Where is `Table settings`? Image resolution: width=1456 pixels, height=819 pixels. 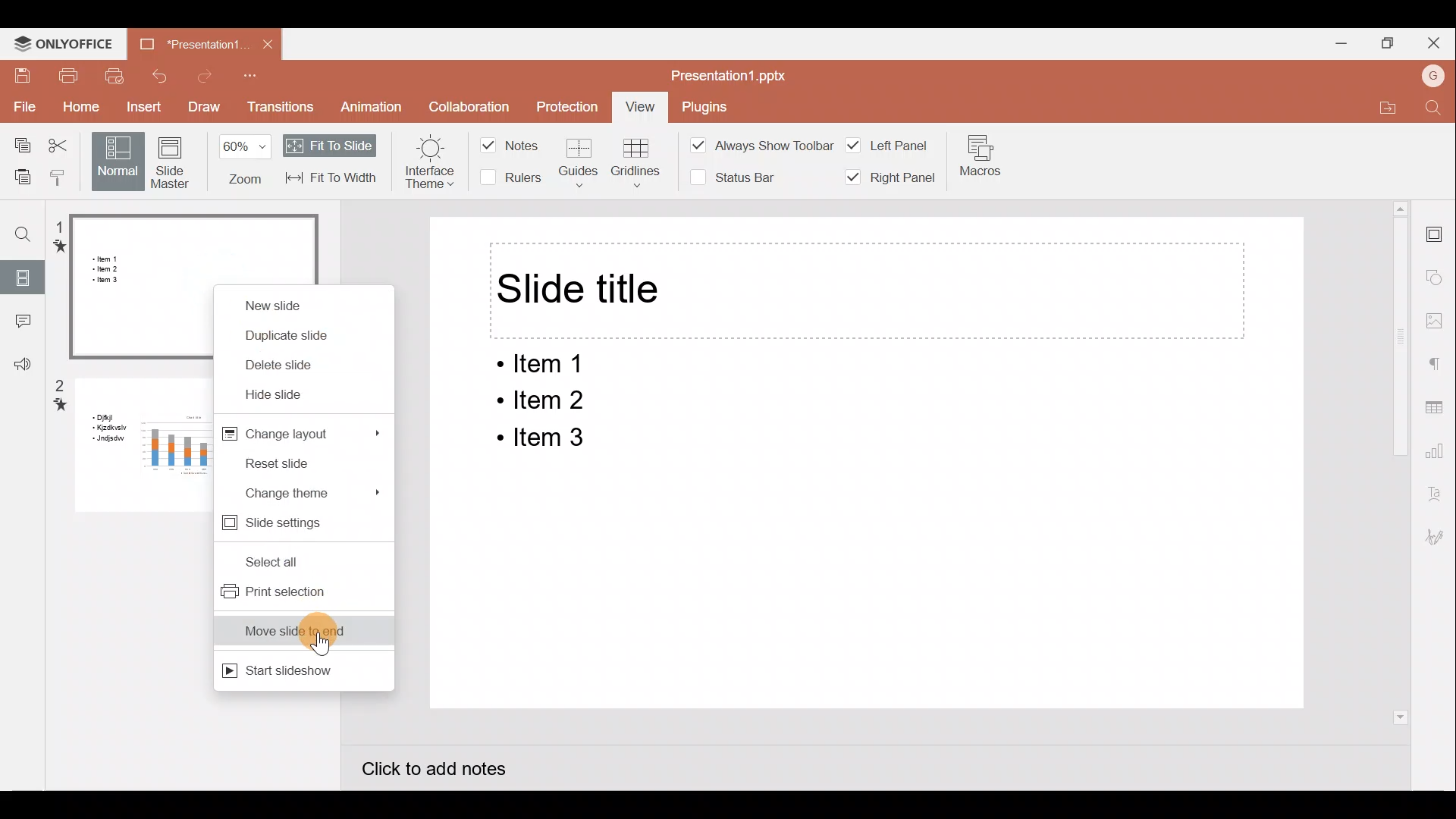
Table settings is located at coordinates (1439, 407).